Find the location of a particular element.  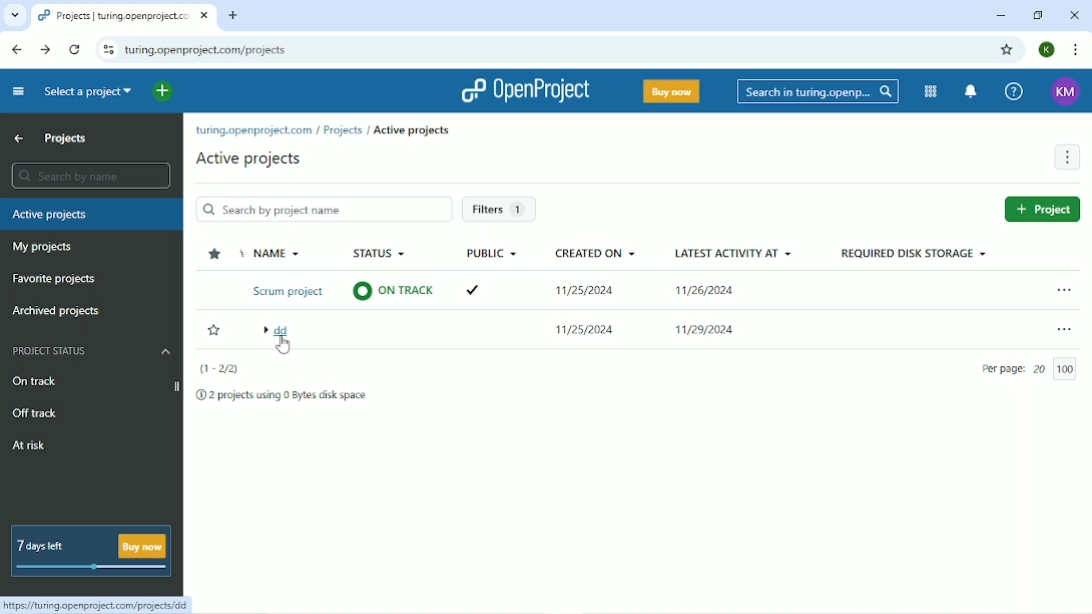

Archived projects is located at coordinates (57, 312).